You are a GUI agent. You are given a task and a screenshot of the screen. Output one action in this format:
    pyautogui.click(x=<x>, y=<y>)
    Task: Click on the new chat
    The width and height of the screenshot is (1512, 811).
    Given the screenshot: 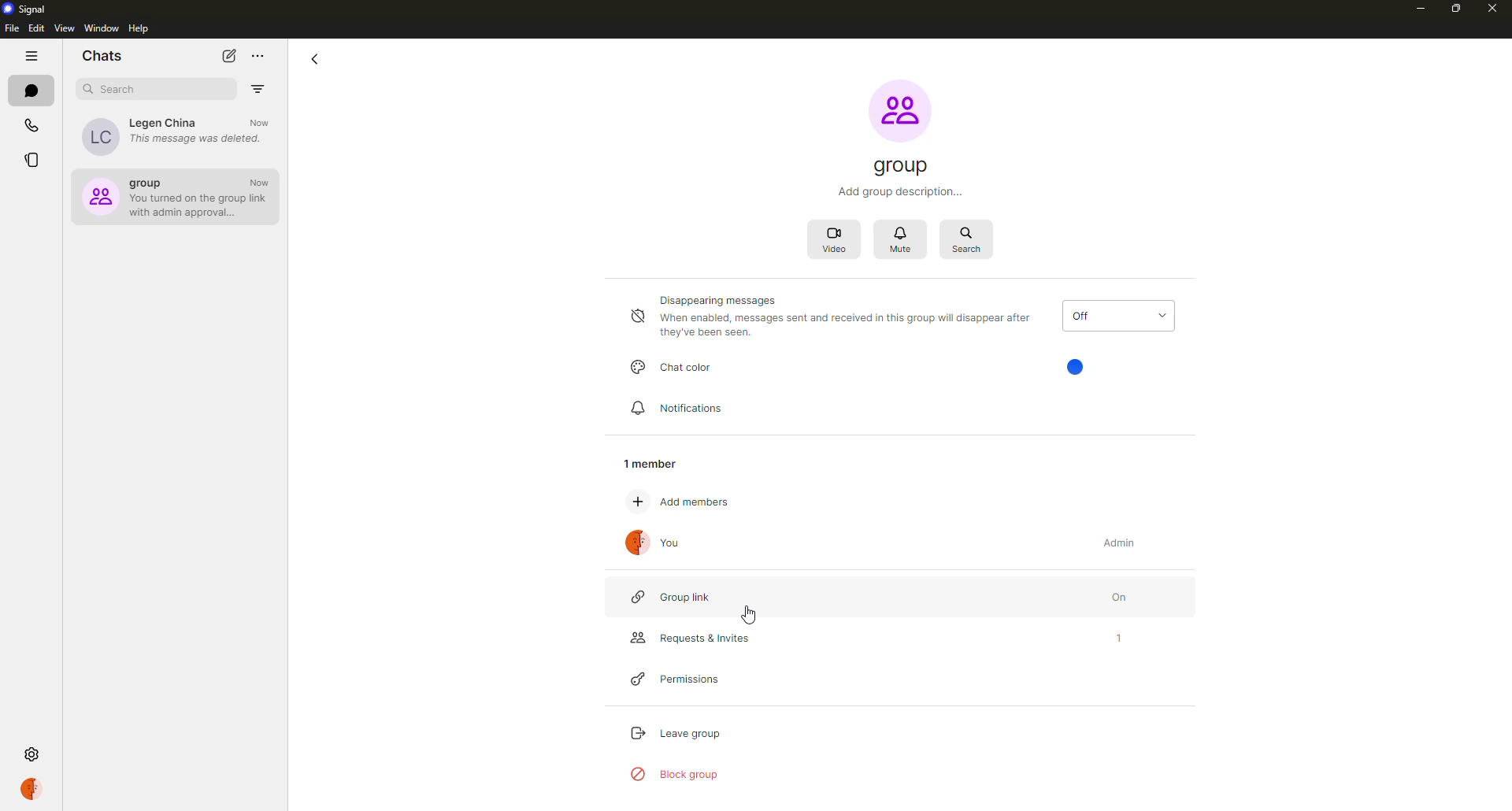 What is the action you would take?
    pyautogui.click(x=230, y=55)
    